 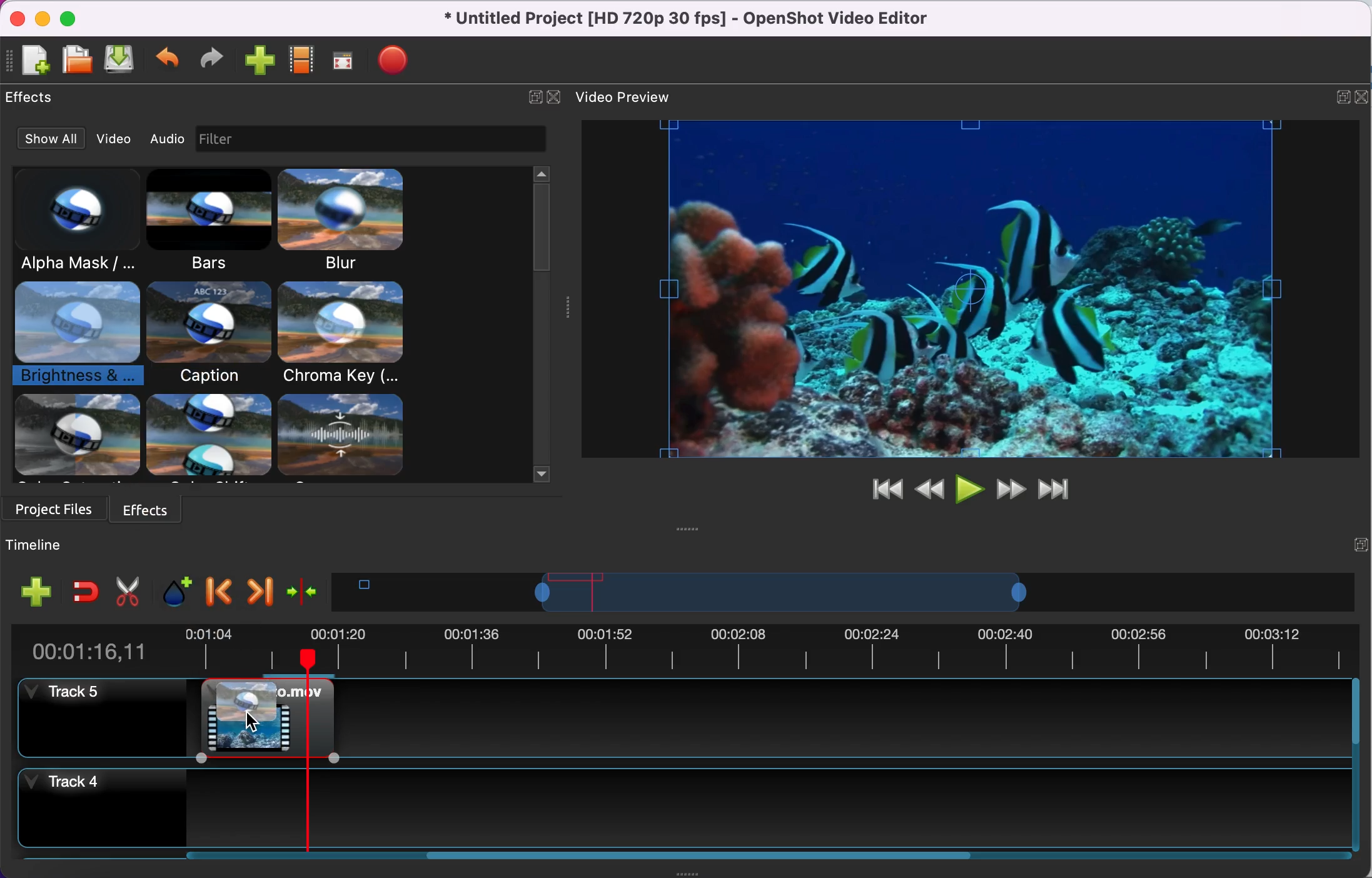 I want to click on open file, so click(x=76, y=58).